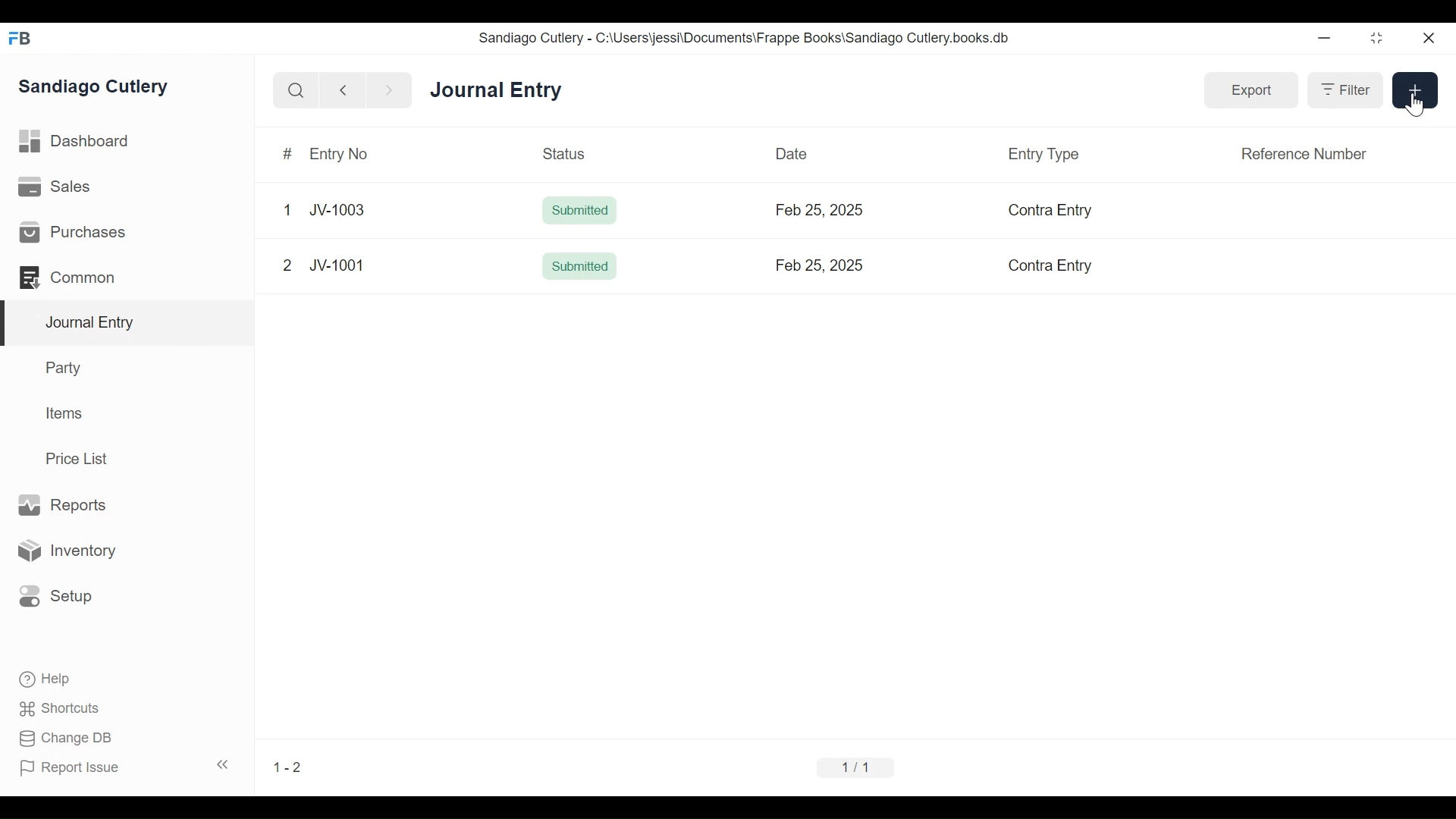 This screenshot has width=1456, height=819. What do you see at coordinates (124, 324) in the screenshot?
I see `Journal Entry` at bounding box center [124, 324].